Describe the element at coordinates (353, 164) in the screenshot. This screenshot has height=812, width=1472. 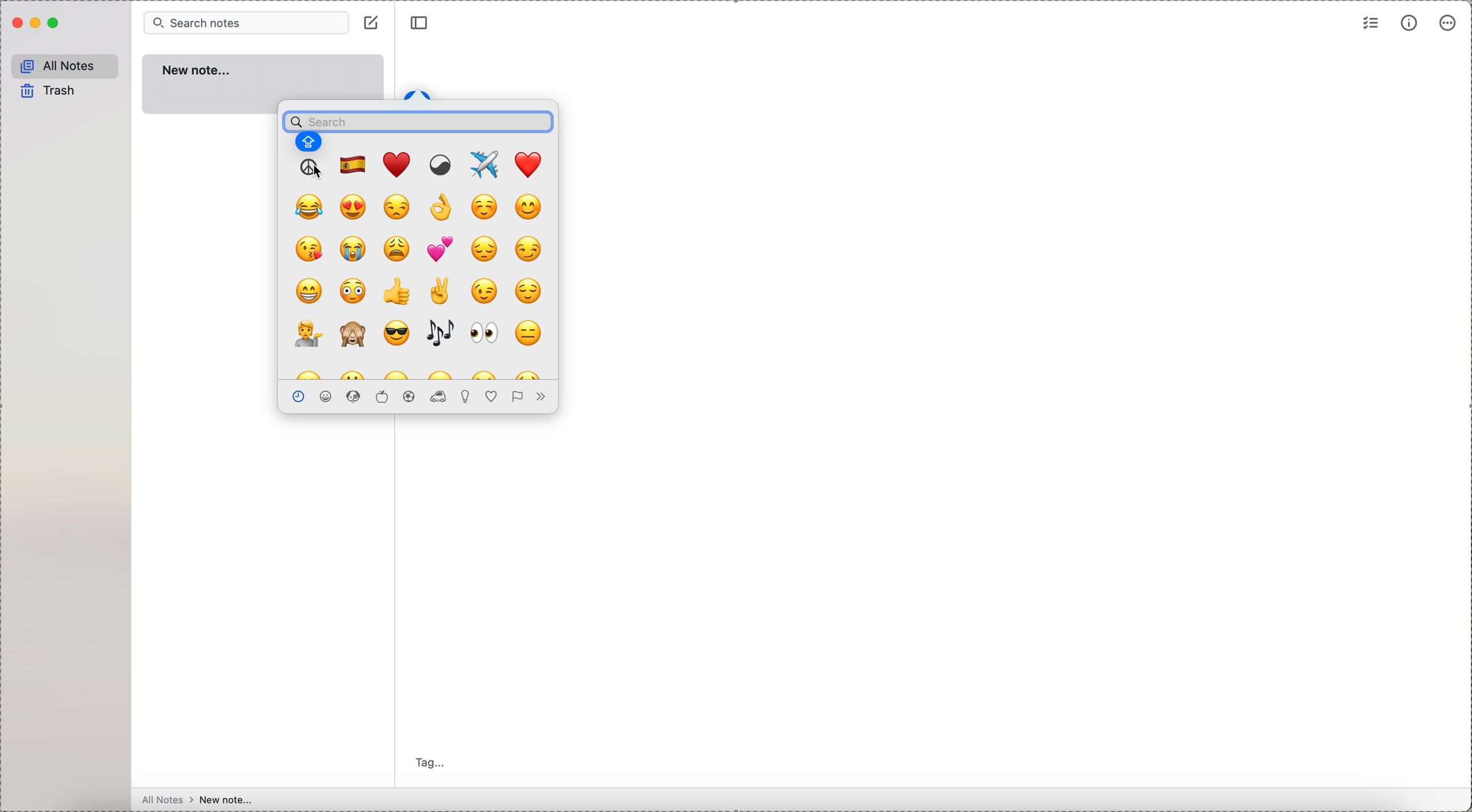
I see `emoji` at that location.